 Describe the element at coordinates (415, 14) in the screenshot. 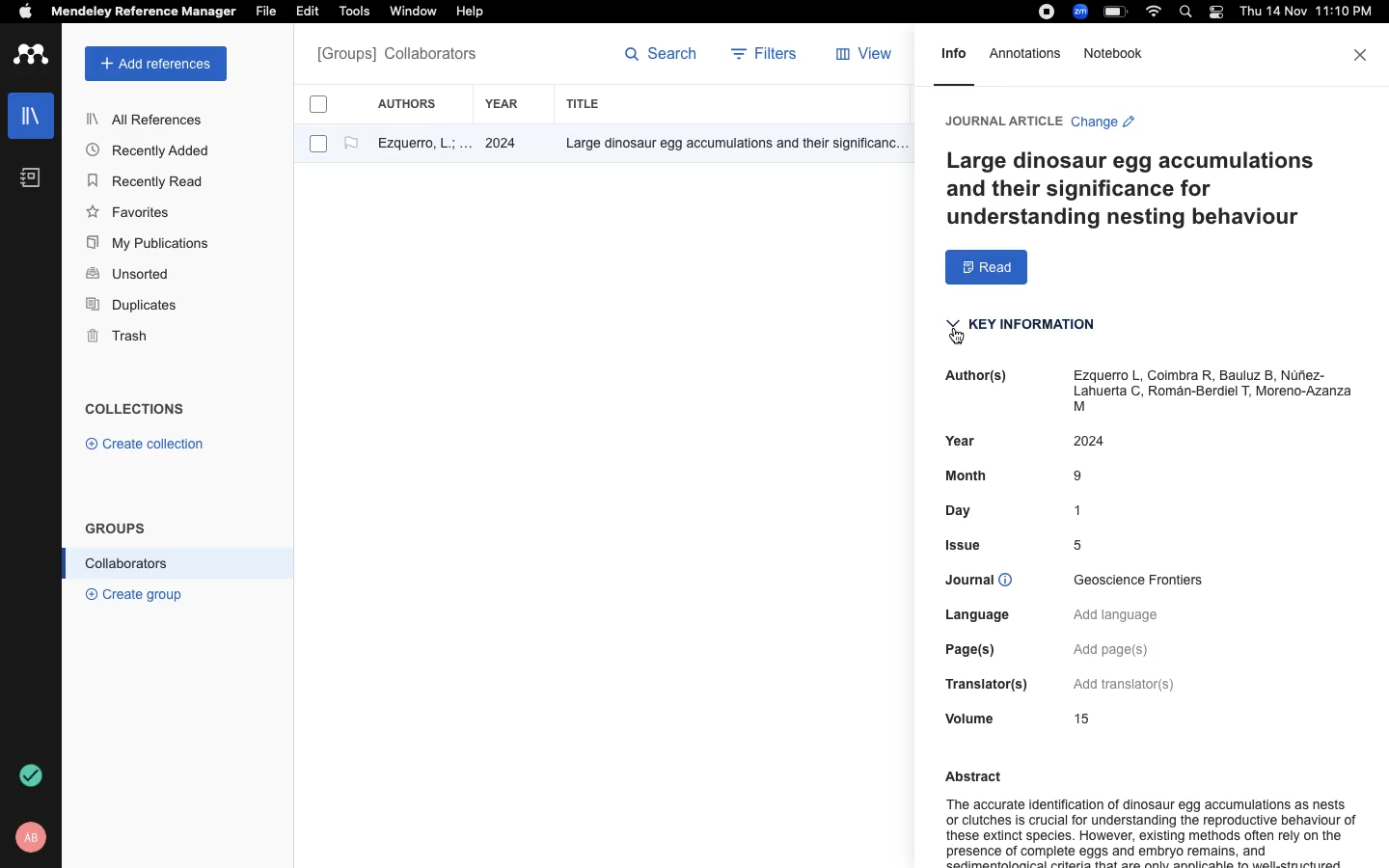

I see `‘Window` at that location.